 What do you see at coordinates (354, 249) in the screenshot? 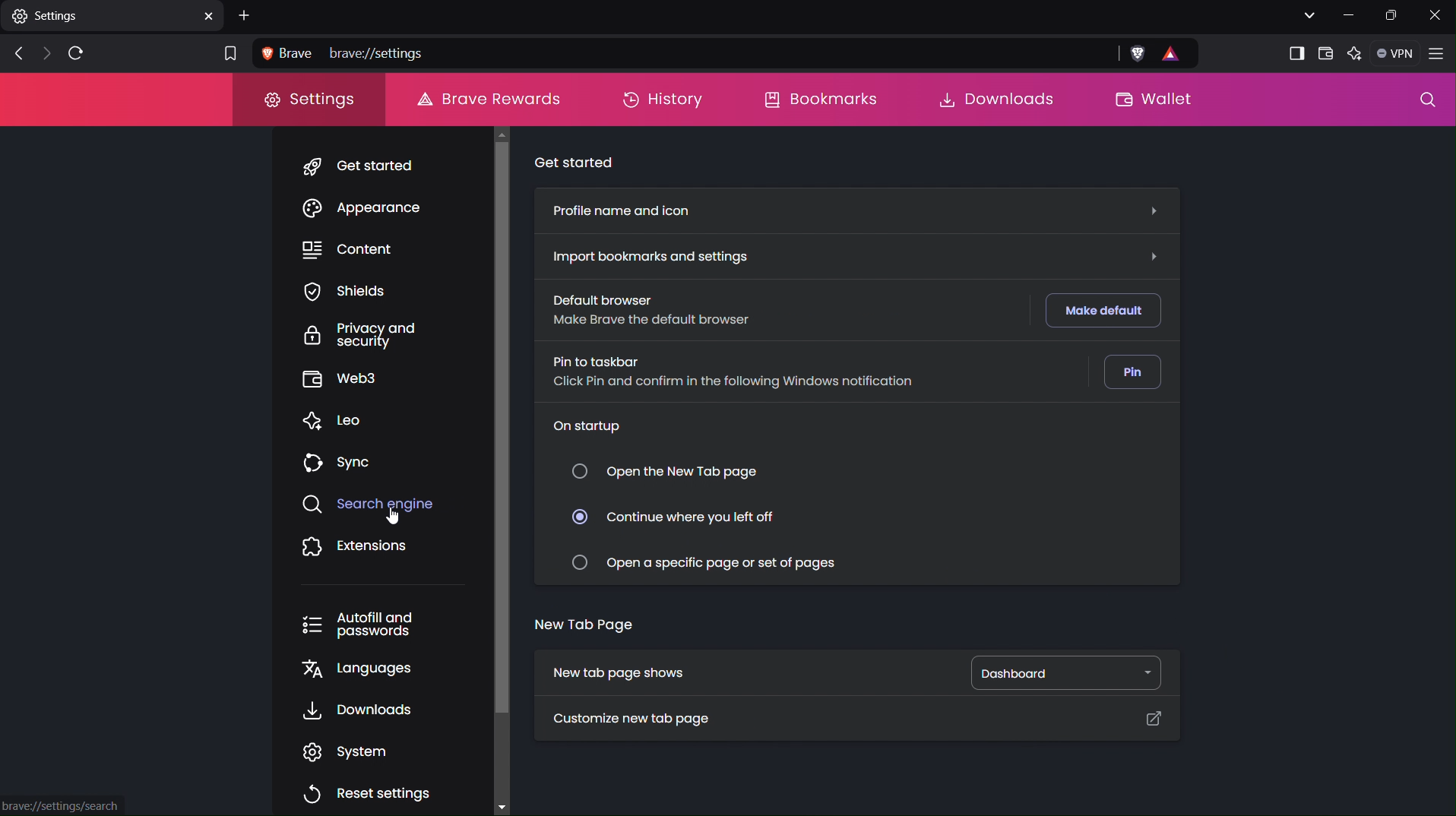
I see `Content` at bounding box center [354, 249].